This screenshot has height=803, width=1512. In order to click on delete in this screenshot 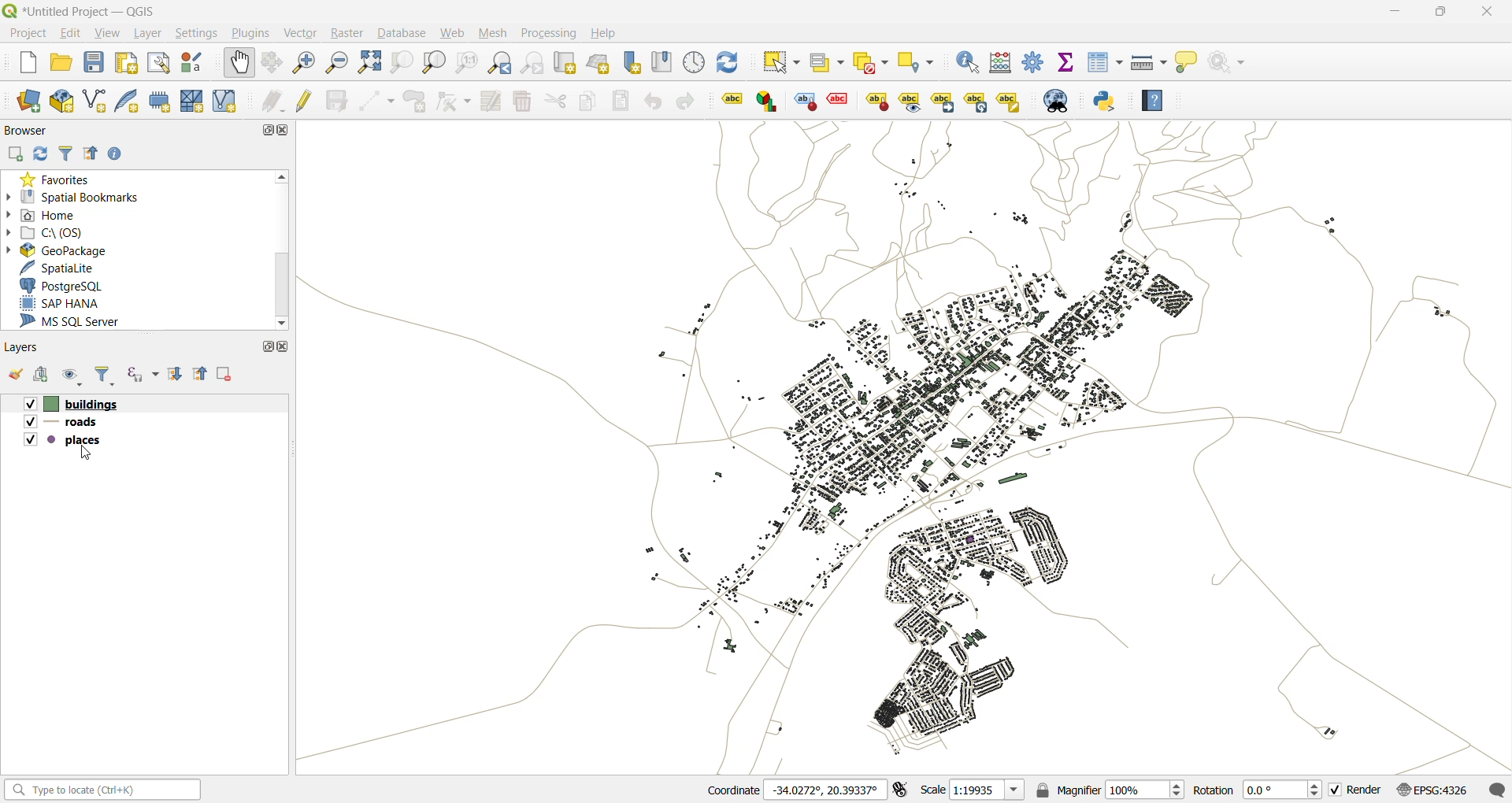, I will do `click(524, 101)`.